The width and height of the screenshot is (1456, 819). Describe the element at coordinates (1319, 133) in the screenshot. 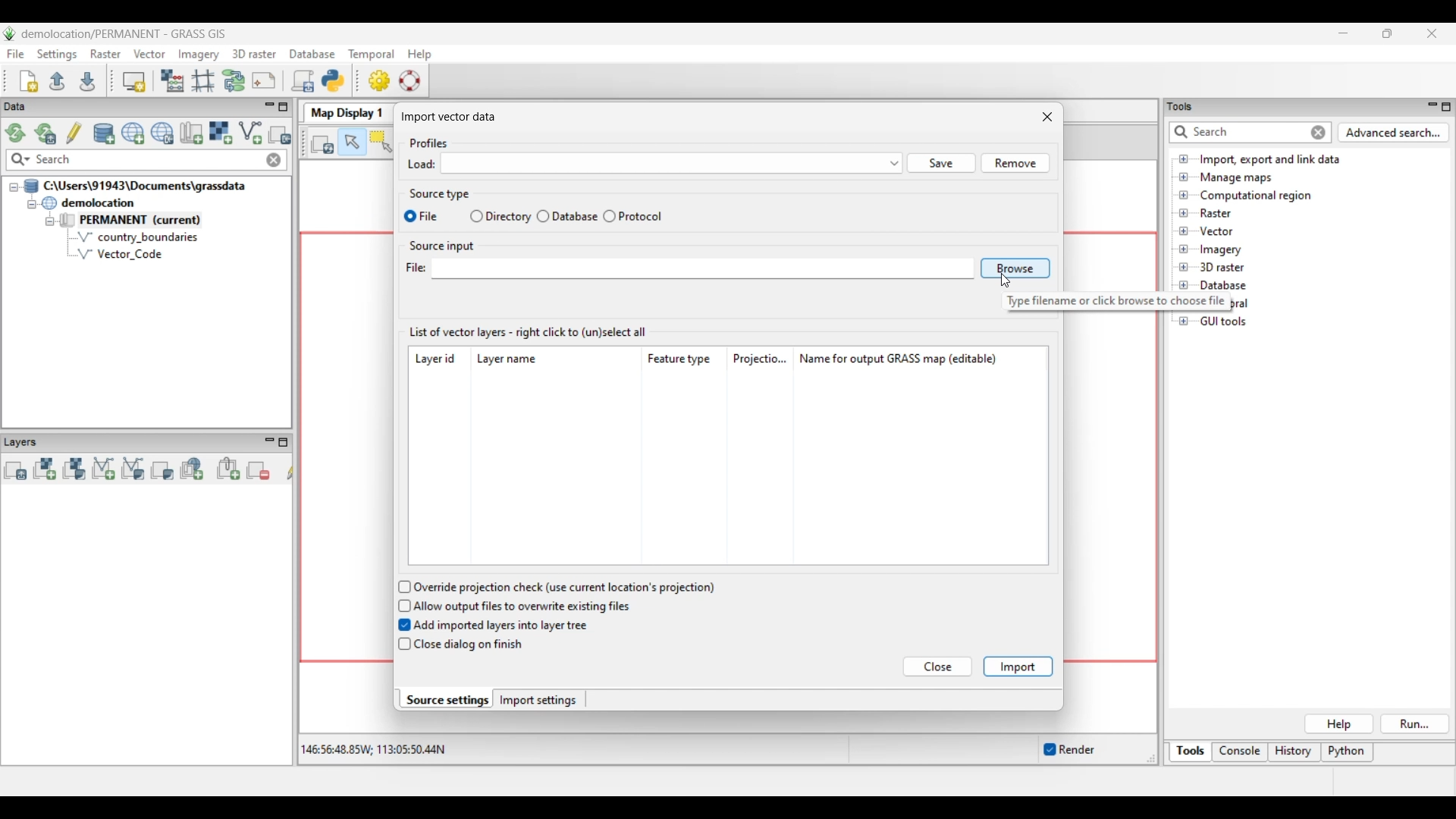

I see `Close input for quick search` at that location.